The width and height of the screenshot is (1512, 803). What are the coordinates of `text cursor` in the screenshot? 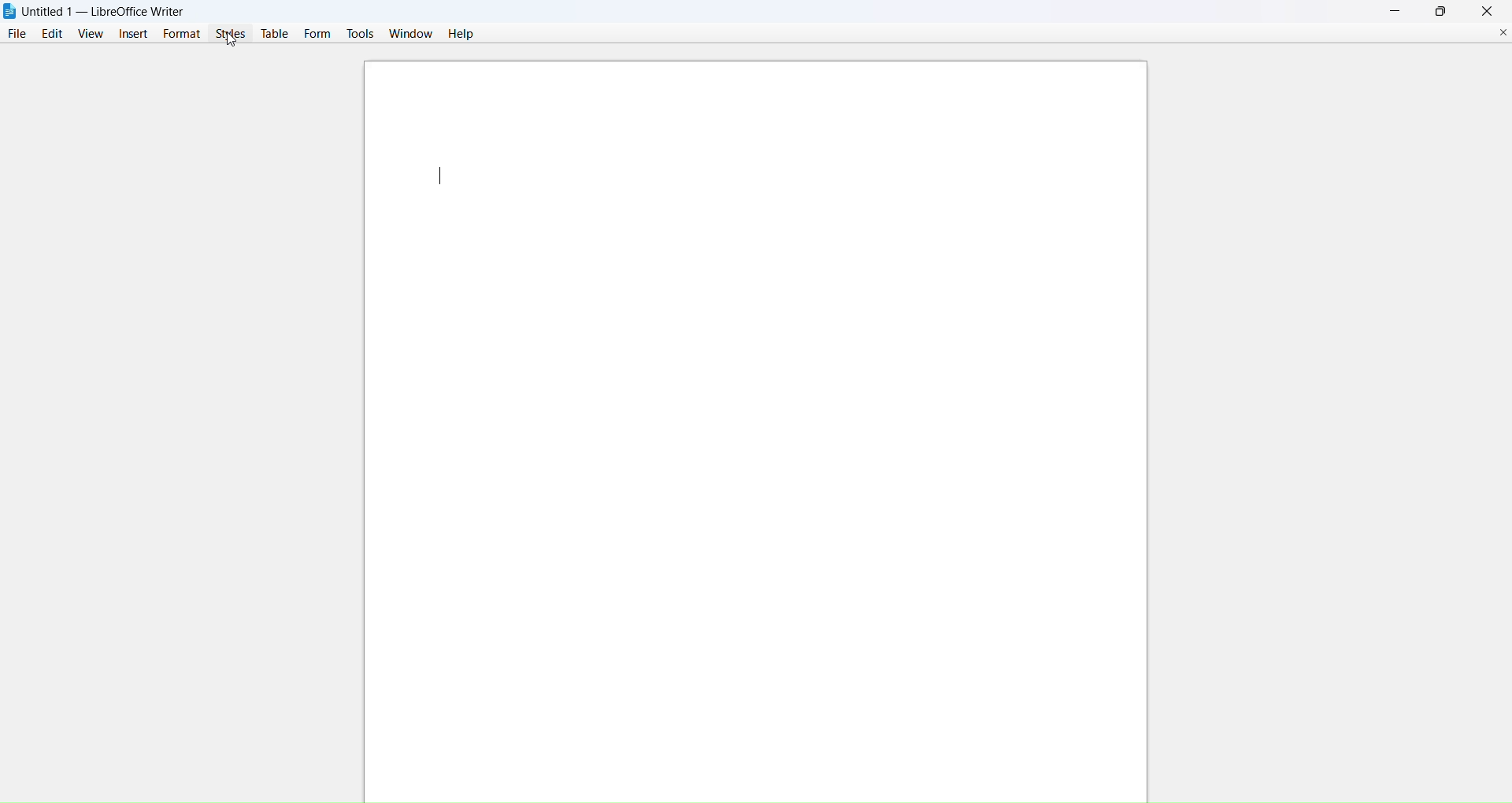 It's located at (440, 174).